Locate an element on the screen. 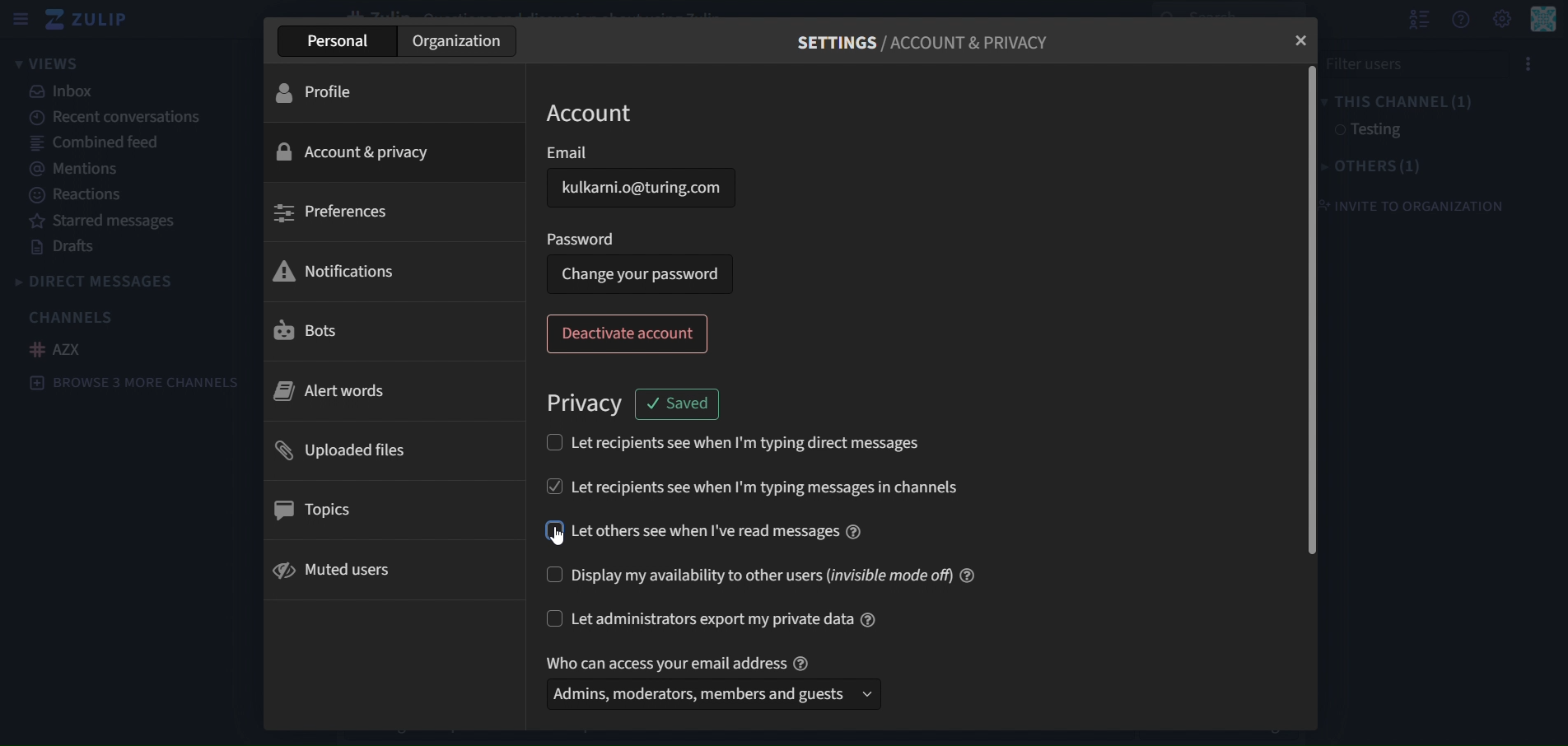  mentions is located at coordinates (77, 168).